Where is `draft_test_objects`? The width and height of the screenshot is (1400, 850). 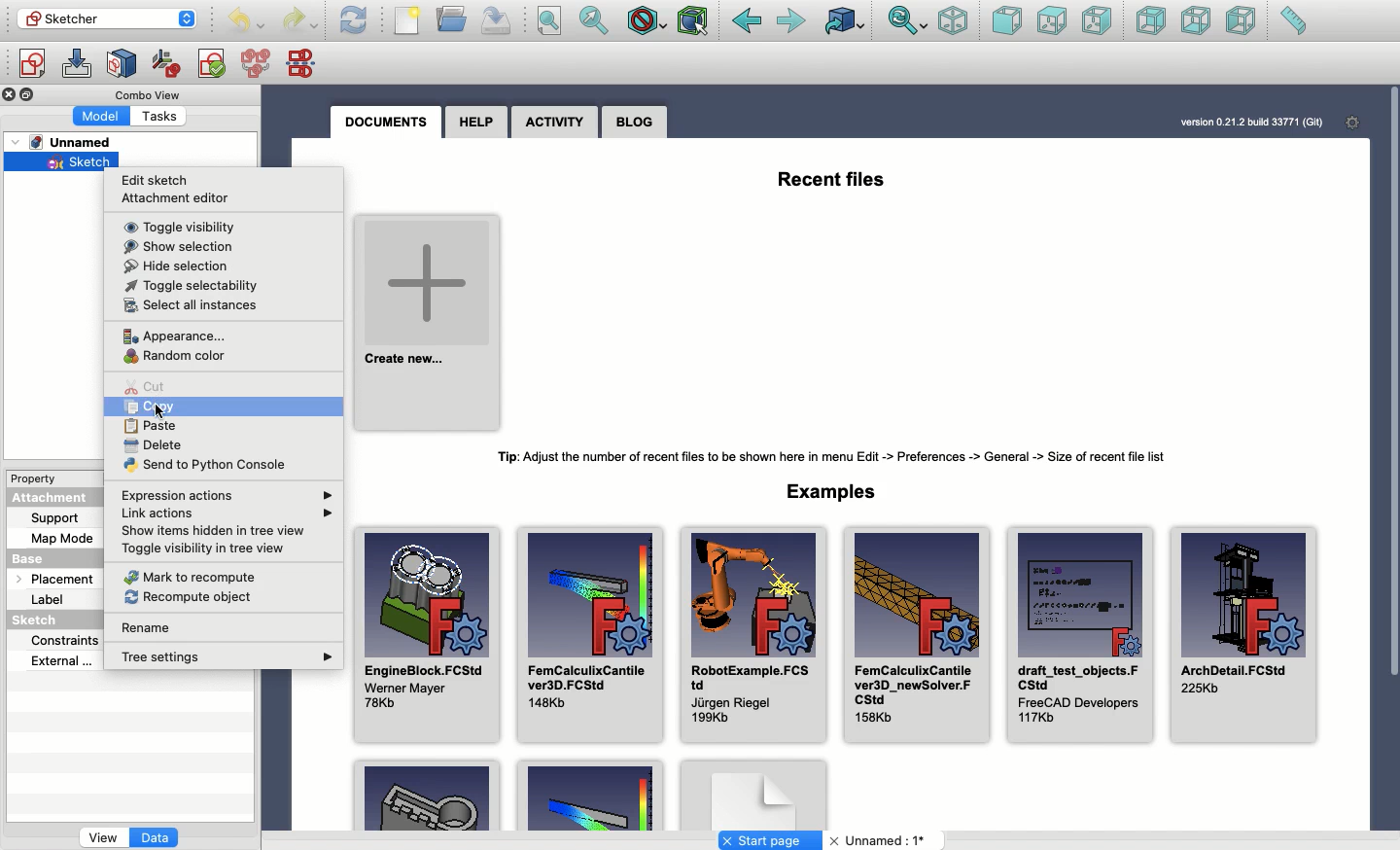 draft_test_objects is located at coordinates (1079, 632).